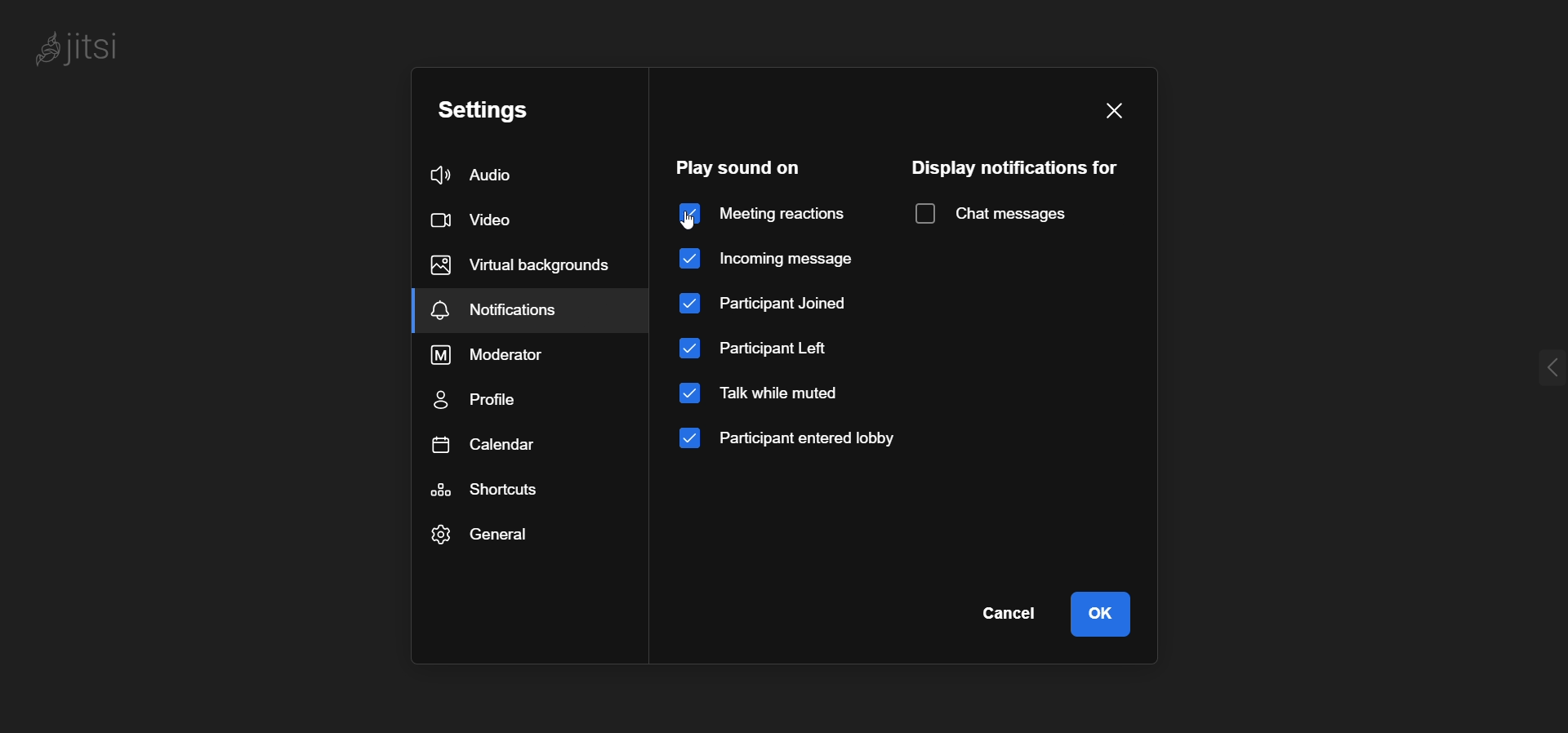 The image size is (1568, 733). What do you see at coordinates (1106, 611) in the screenshot?
I see `ok` at bounding box center [1106, 611].